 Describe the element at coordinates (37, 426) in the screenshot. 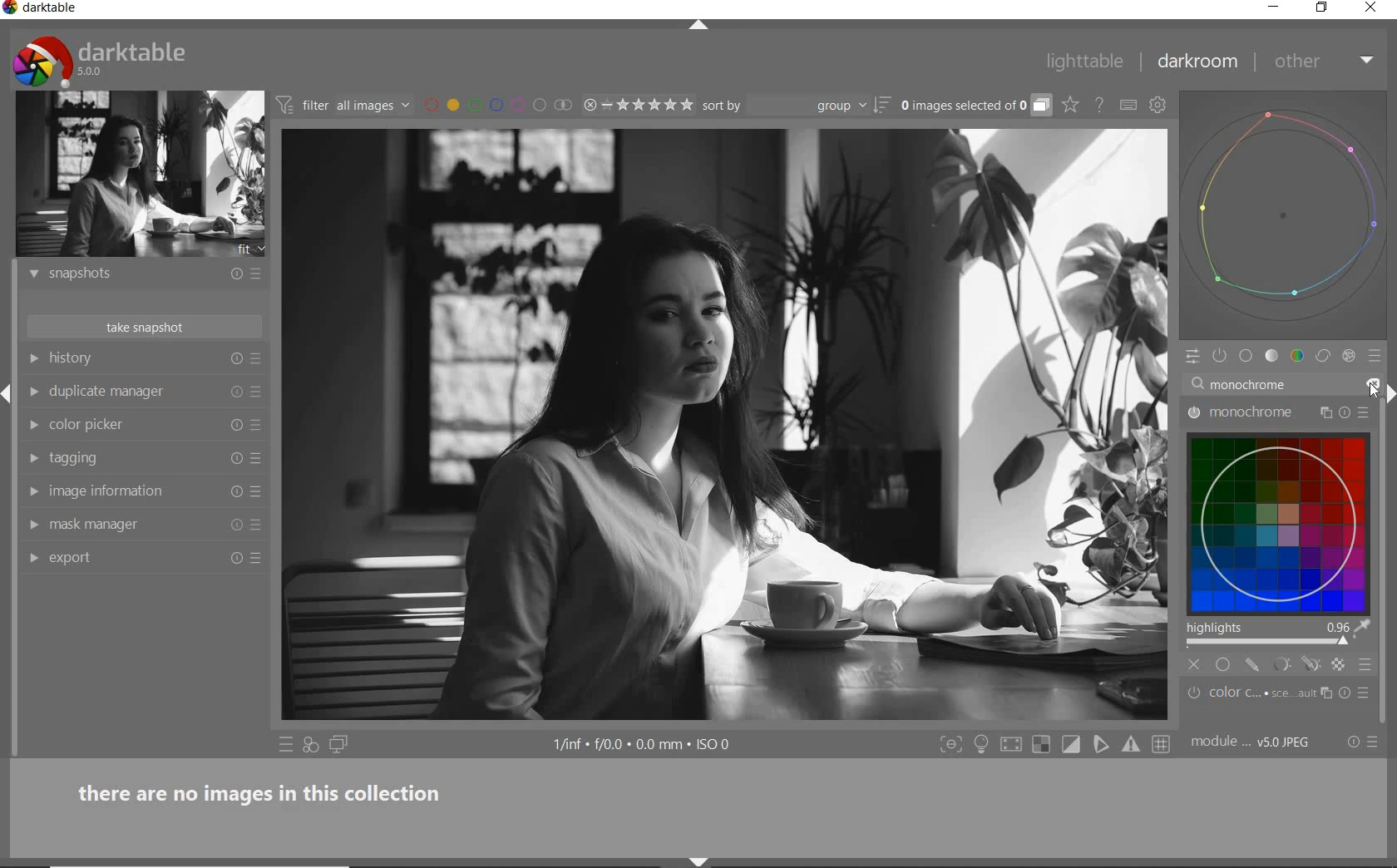

I see `show module` at that location.